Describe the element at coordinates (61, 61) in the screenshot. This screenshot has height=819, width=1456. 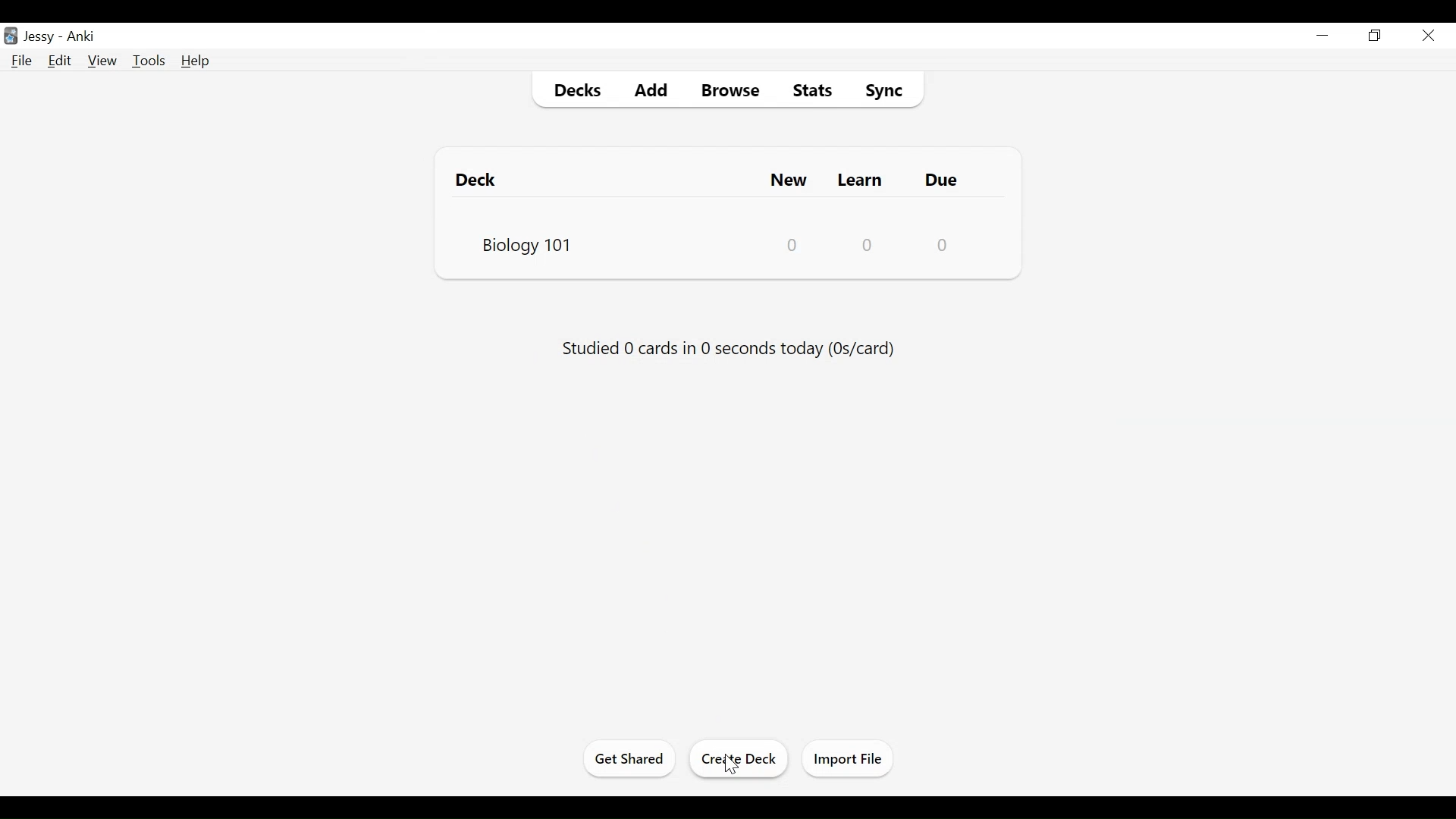
I see `Edit` at that location.